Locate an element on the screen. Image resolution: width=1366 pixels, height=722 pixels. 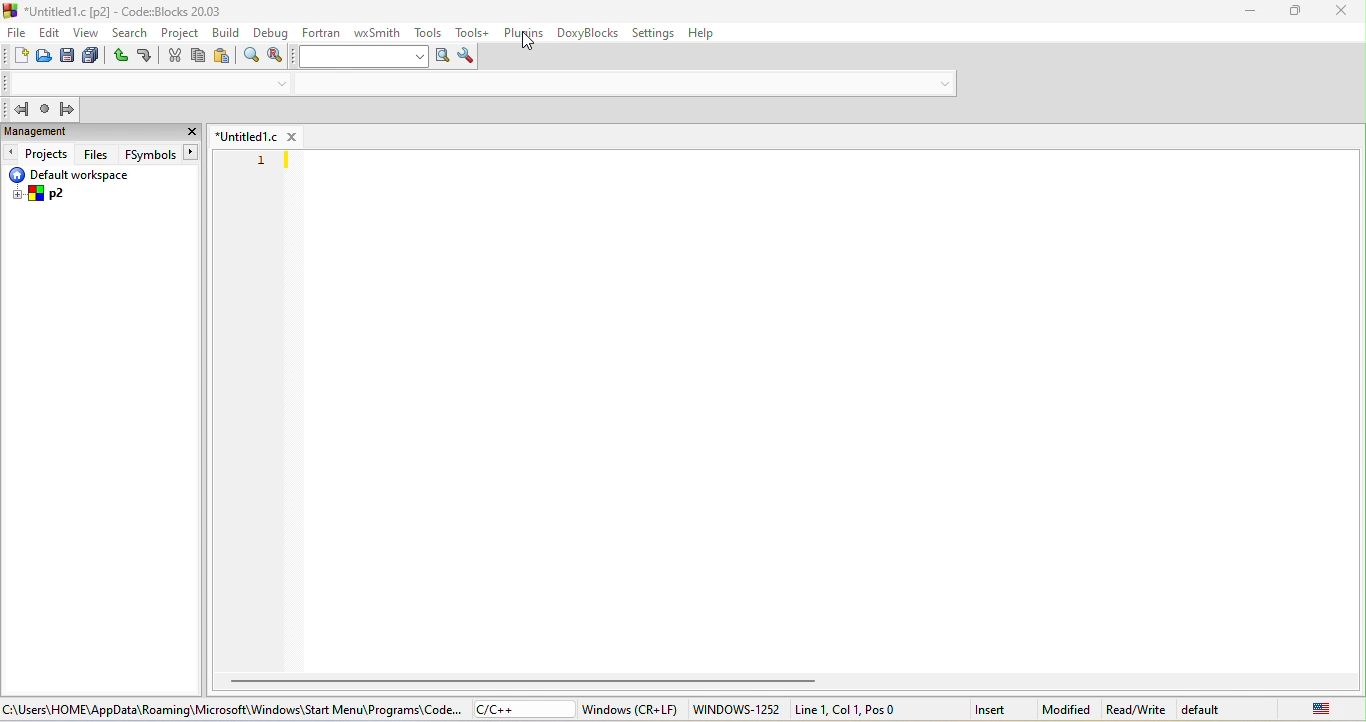
last jump is located at coordinates (45, 110).